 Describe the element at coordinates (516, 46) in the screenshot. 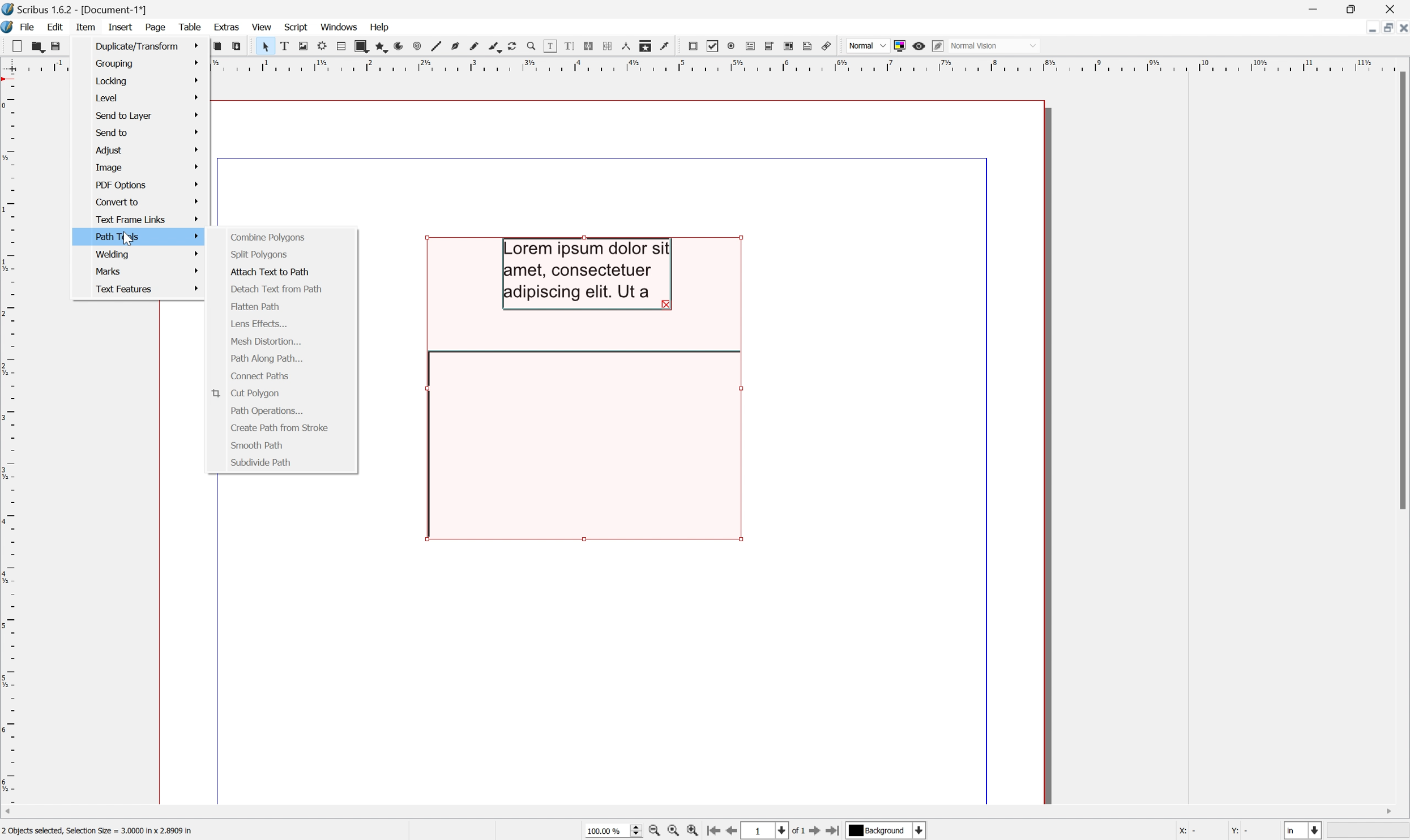

I see `Rotate item` at that location.